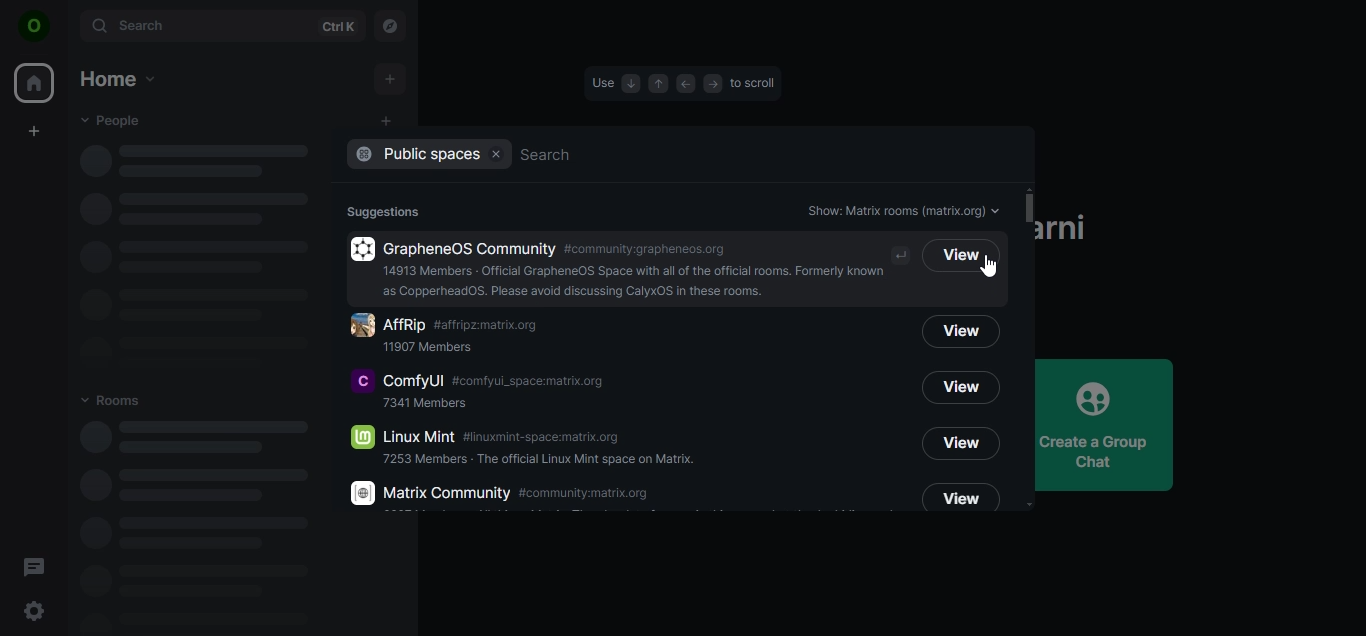 The image size is (1366, 636). What do you see at coordinates (623, 333) in the screenshot?
I see `Affrip` at bounding box center [623, 333].